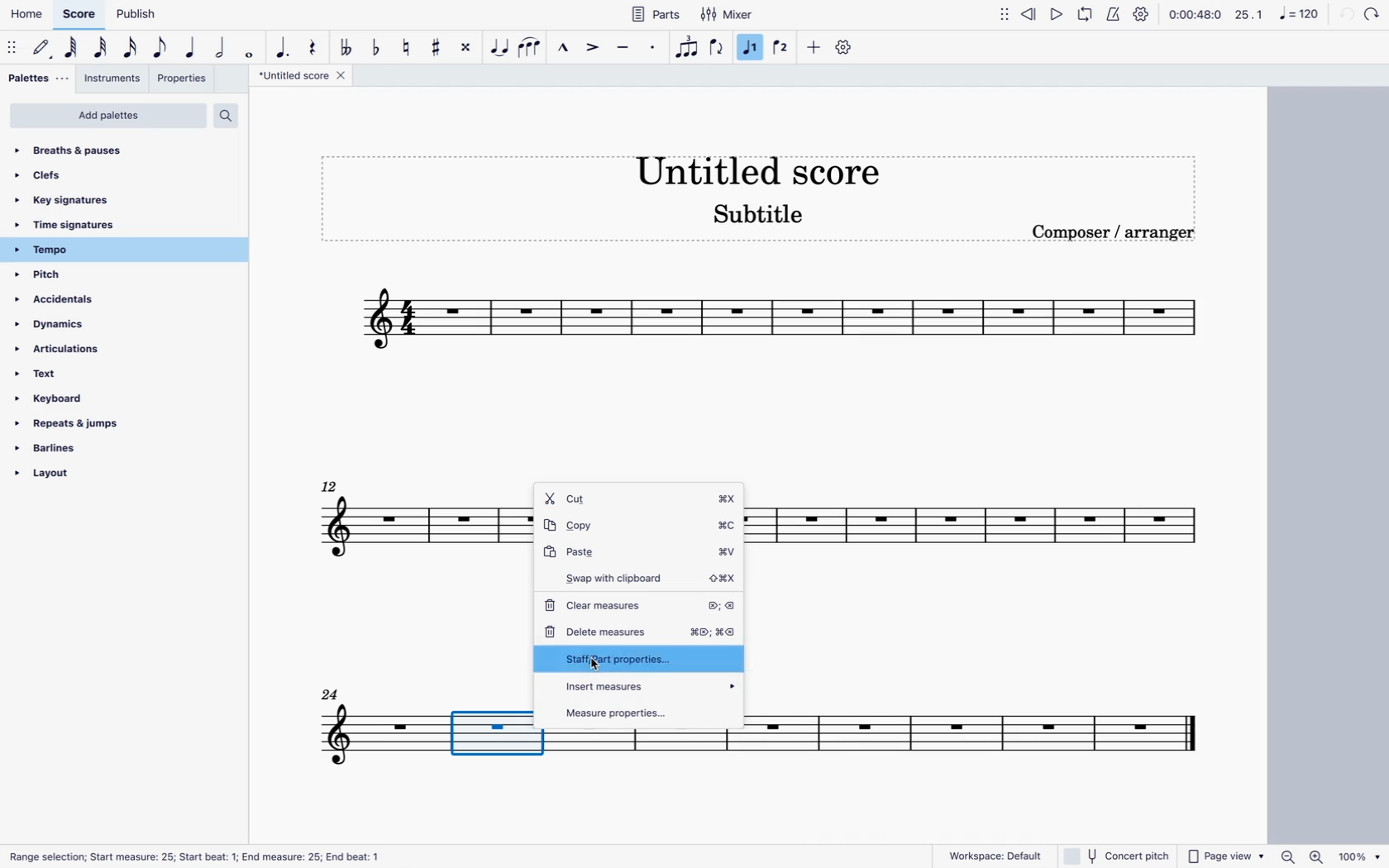 This screenshot has height=868, width=1389. What do you see at coordinates (184, 78) in the screenshot?
I see `properties` at bounding box center [184, 78].